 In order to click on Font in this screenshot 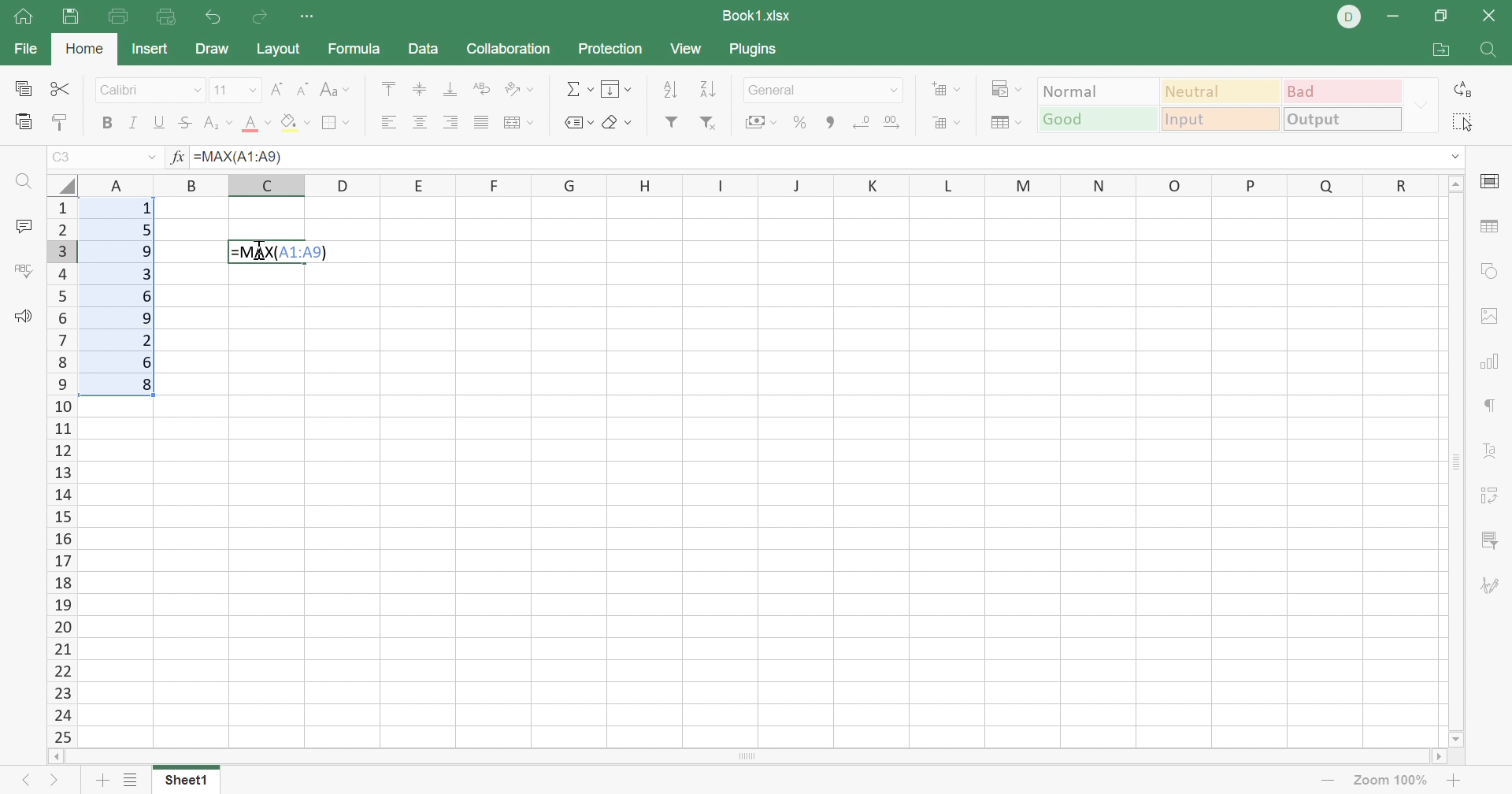, I will do `click(129, 92)`.